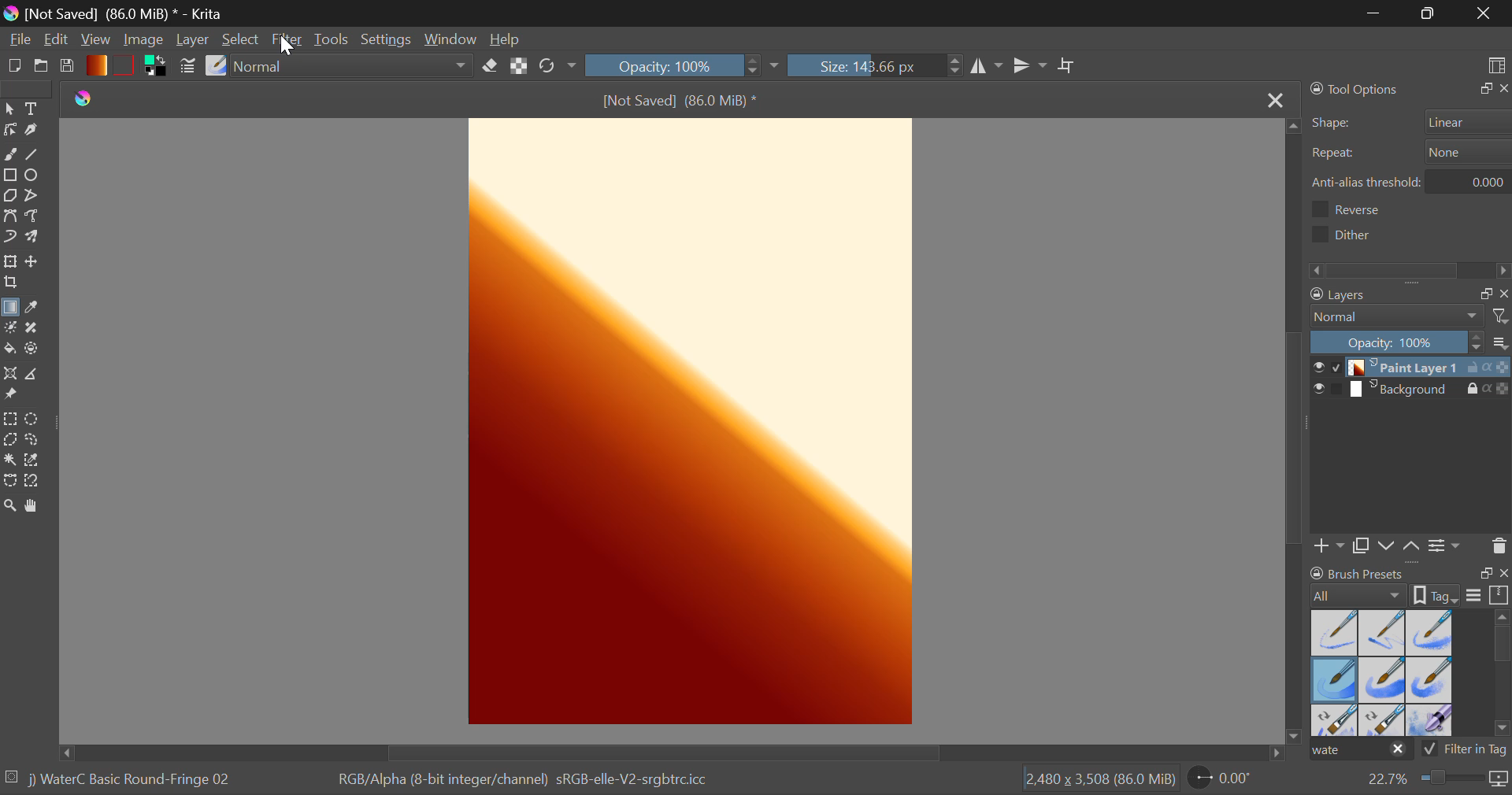  What do you see at coordinates (240, 38) in the screenshot?
I see `Select` at bounding box center [240, 38].